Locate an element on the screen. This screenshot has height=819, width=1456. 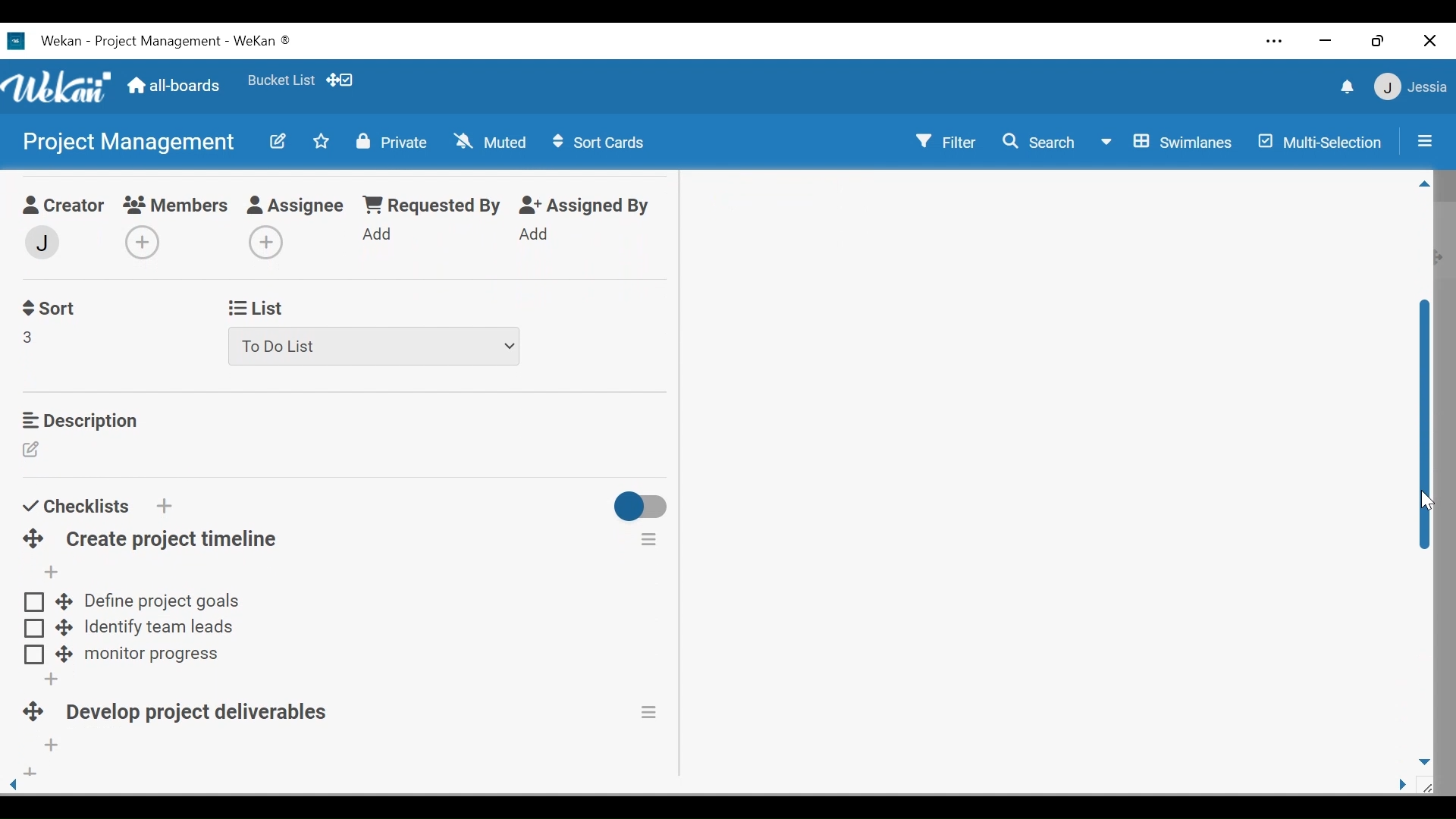
Toggle favorites is located at coordinates (321, 141).